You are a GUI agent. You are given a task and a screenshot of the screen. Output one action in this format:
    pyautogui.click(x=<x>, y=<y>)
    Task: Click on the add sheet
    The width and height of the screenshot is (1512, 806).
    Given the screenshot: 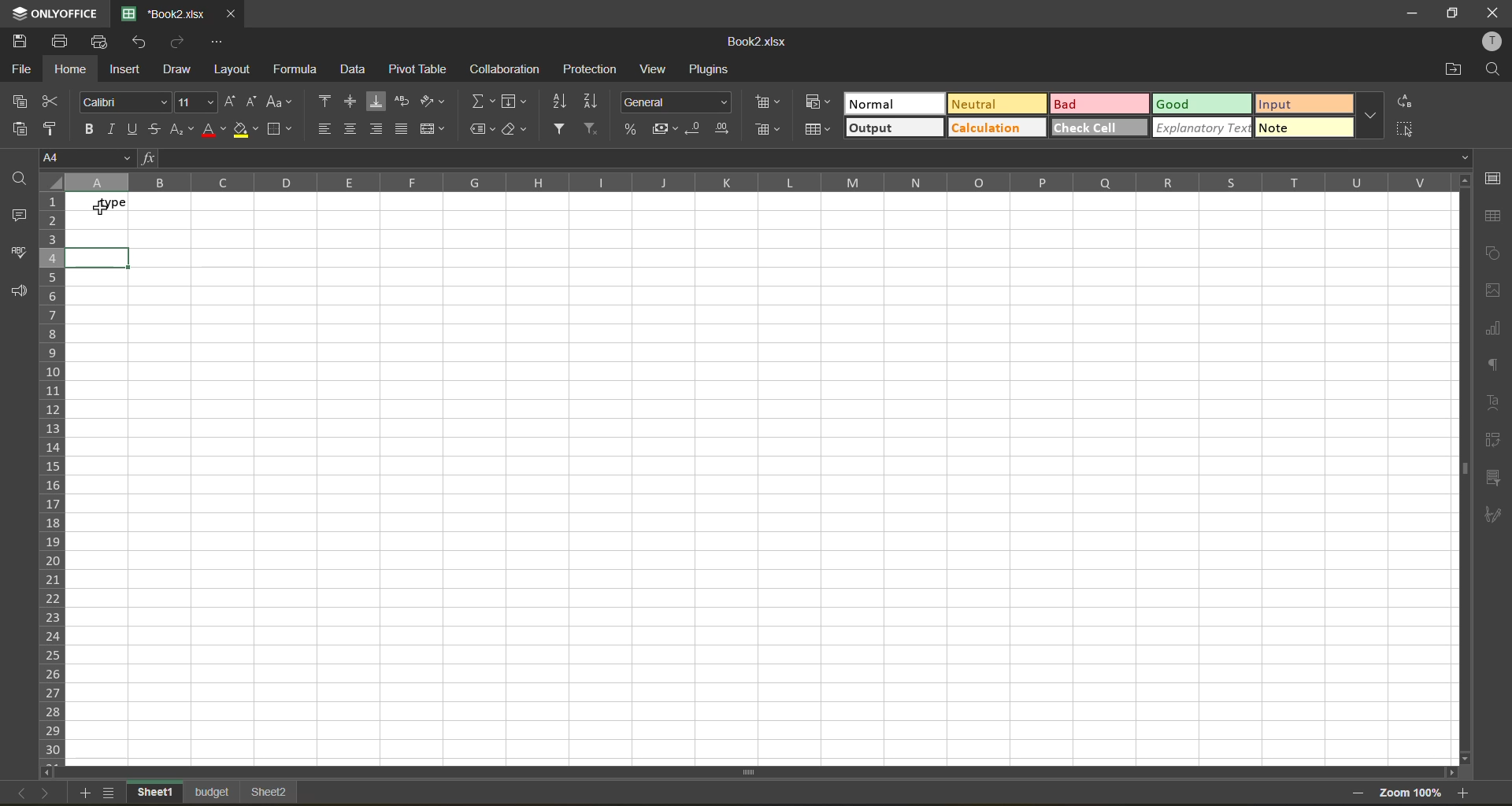 What is the action you would take?
    pyautogui.click(x=81, y=792)
    